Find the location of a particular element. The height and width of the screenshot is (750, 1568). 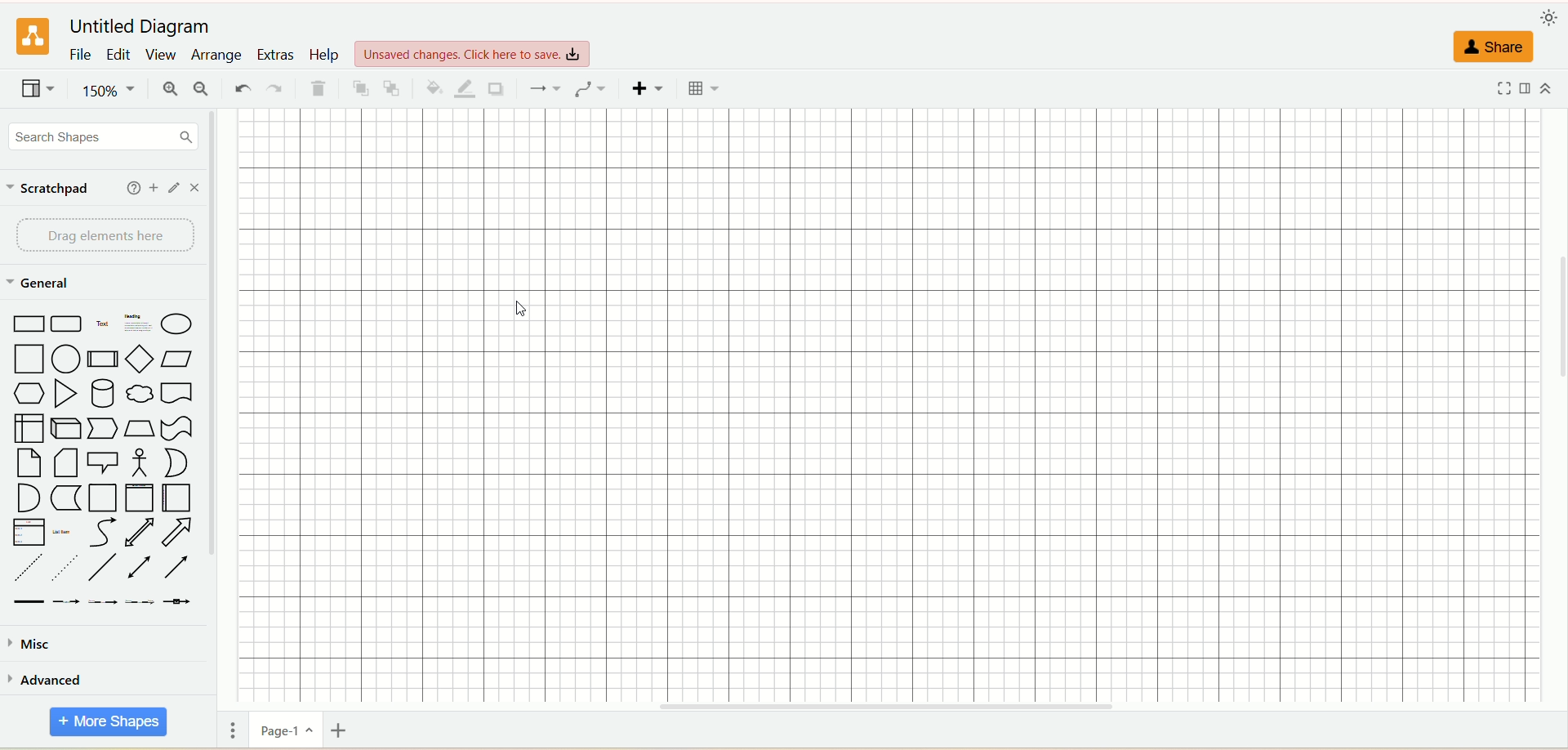

horizontal container is located at coordinates (176, 498).